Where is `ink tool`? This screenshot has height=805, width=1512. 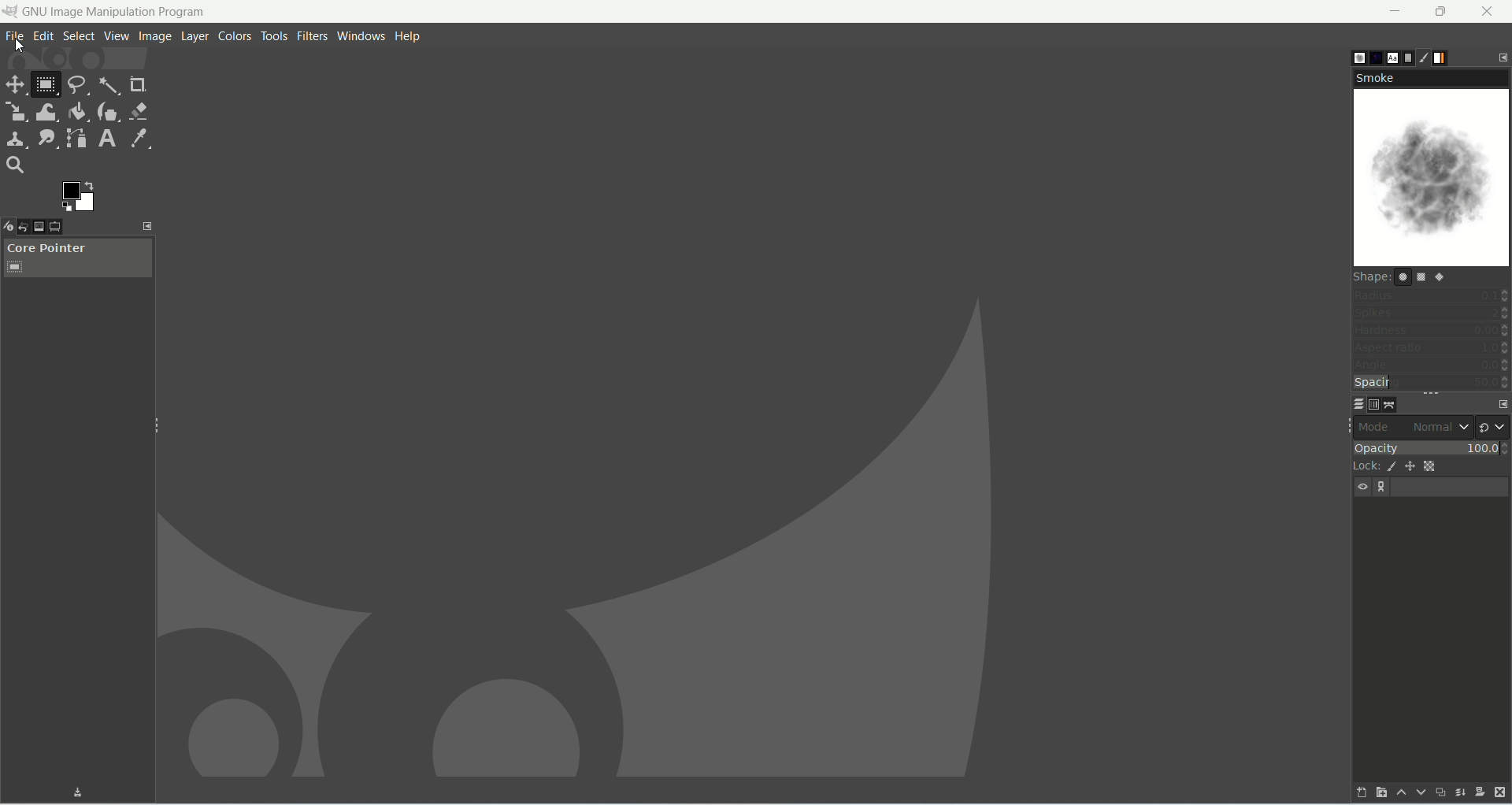 ink tool is located at coordinates (108, 113).